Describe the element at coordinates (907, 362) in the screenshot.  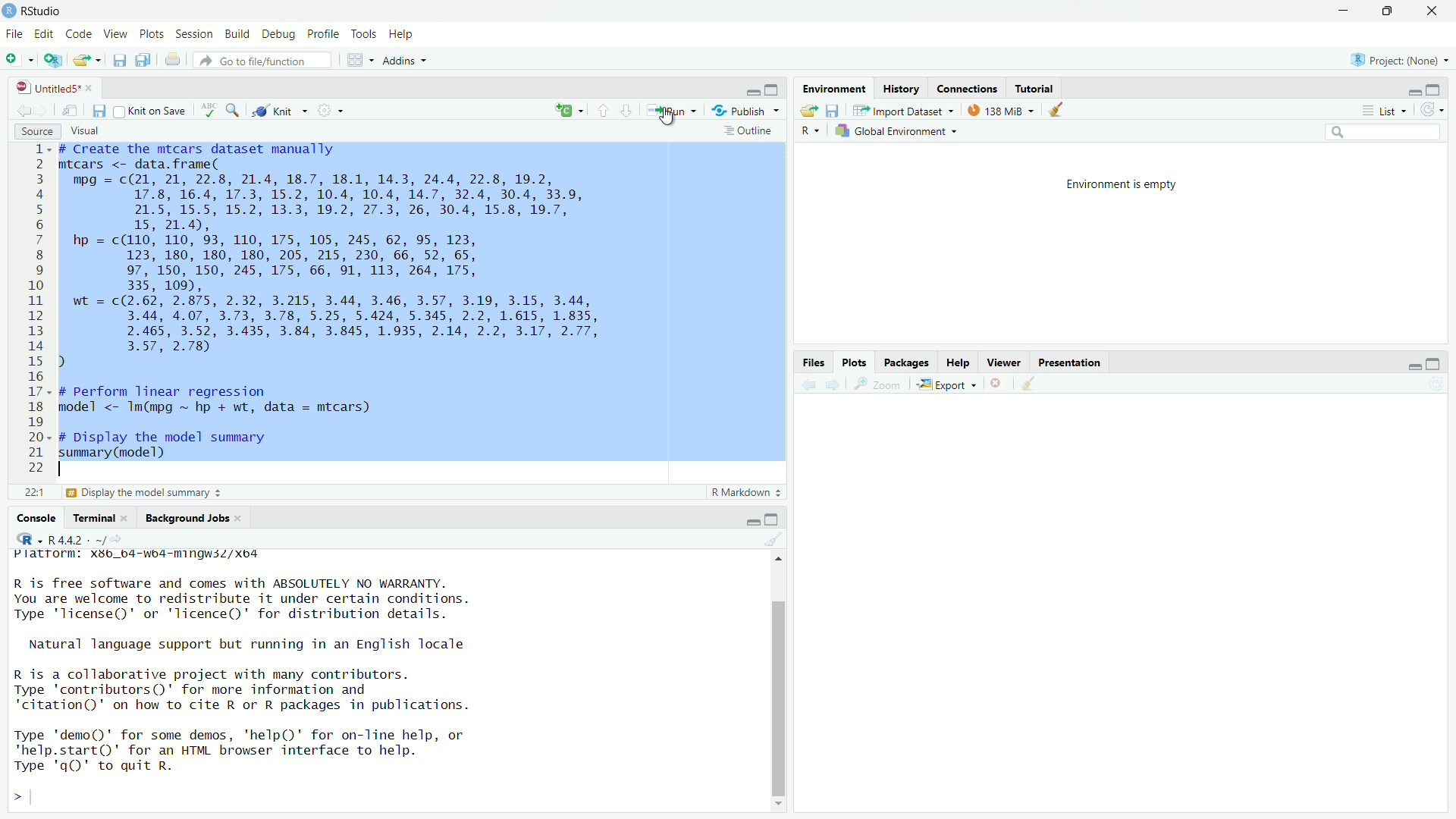
I see `Packages` at that location.